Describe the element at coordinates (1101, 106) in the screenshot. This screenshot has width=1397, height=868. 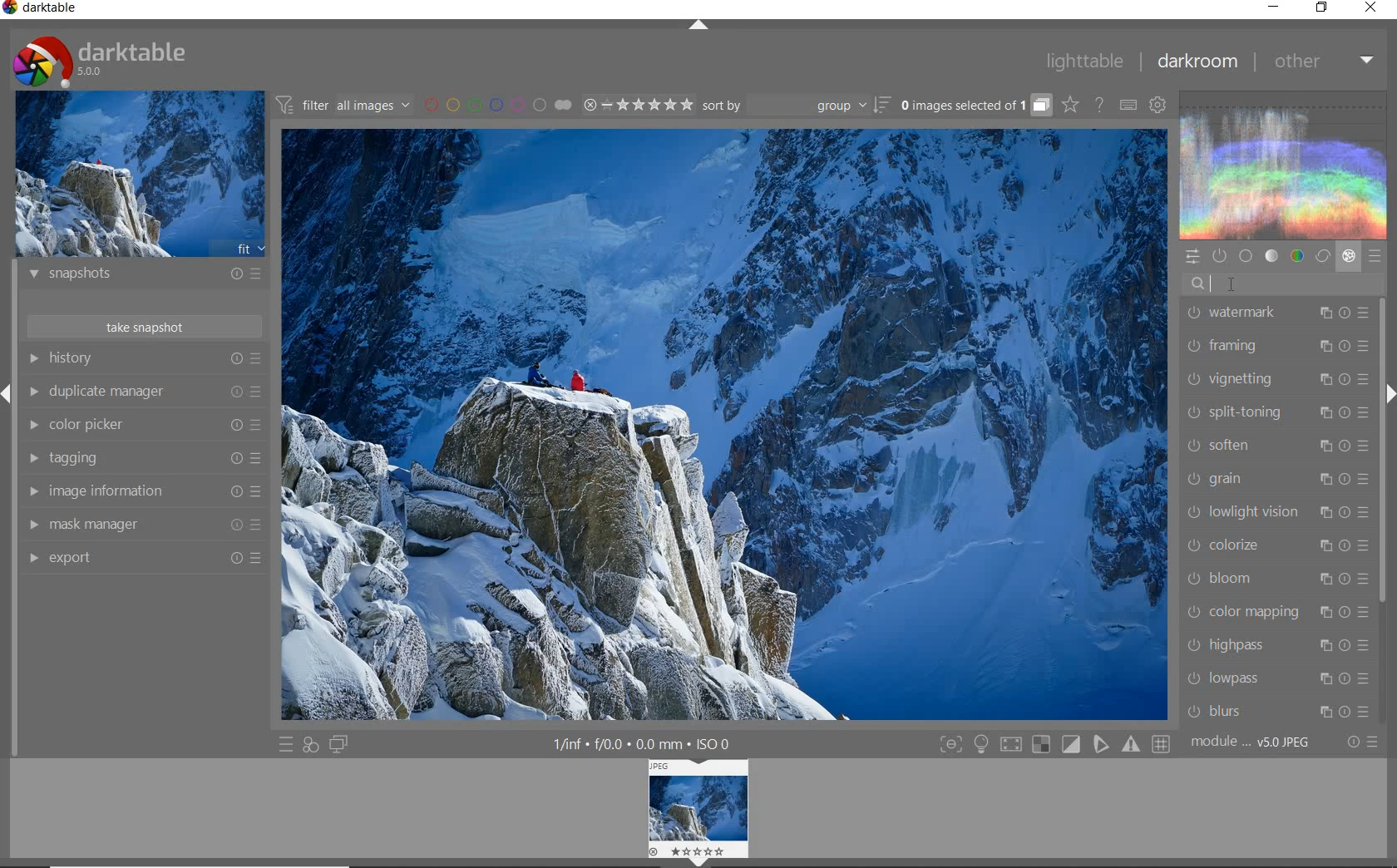
I see `enable online help` at that location.